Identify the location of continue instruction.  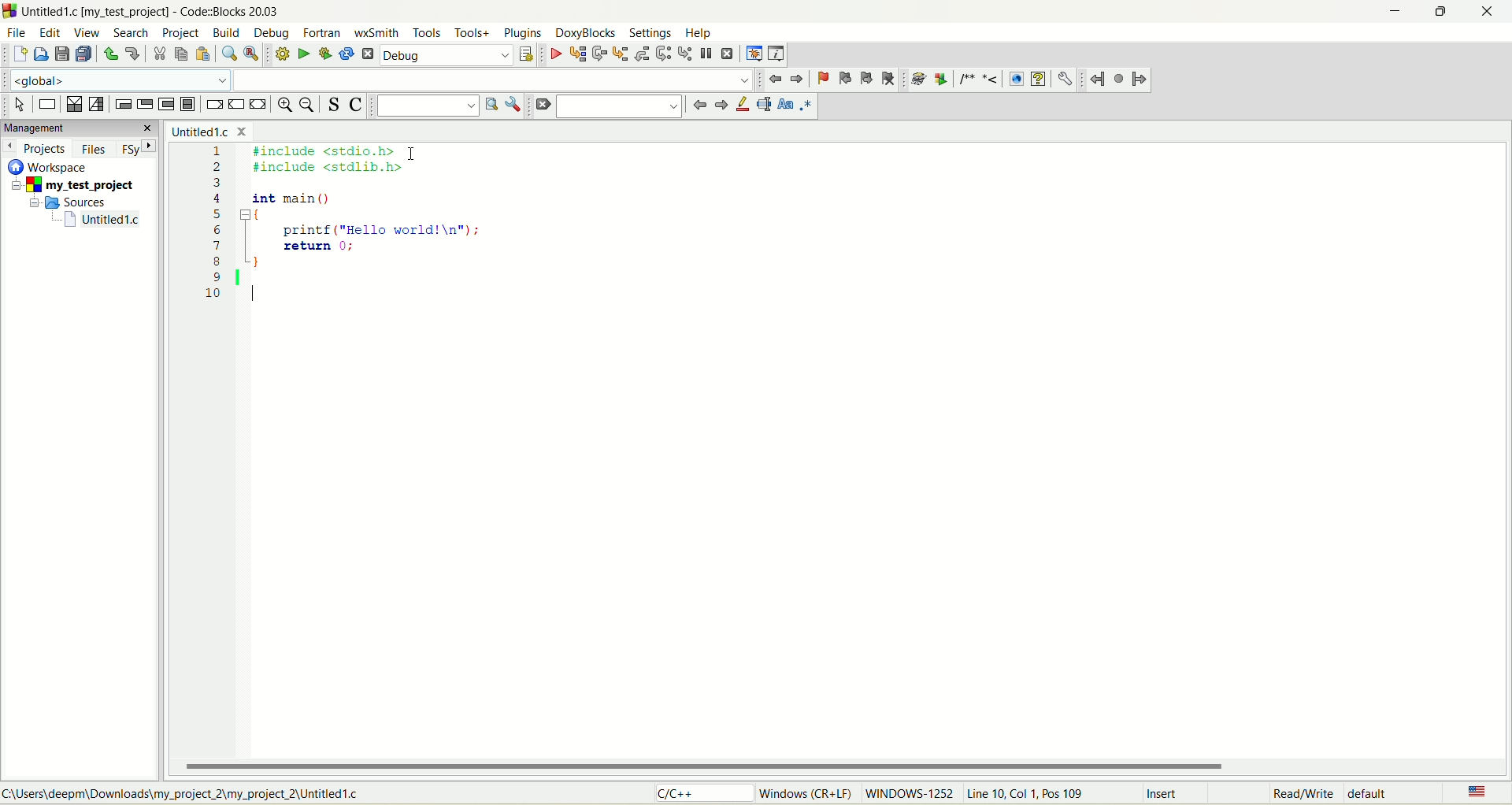
(237, 103).